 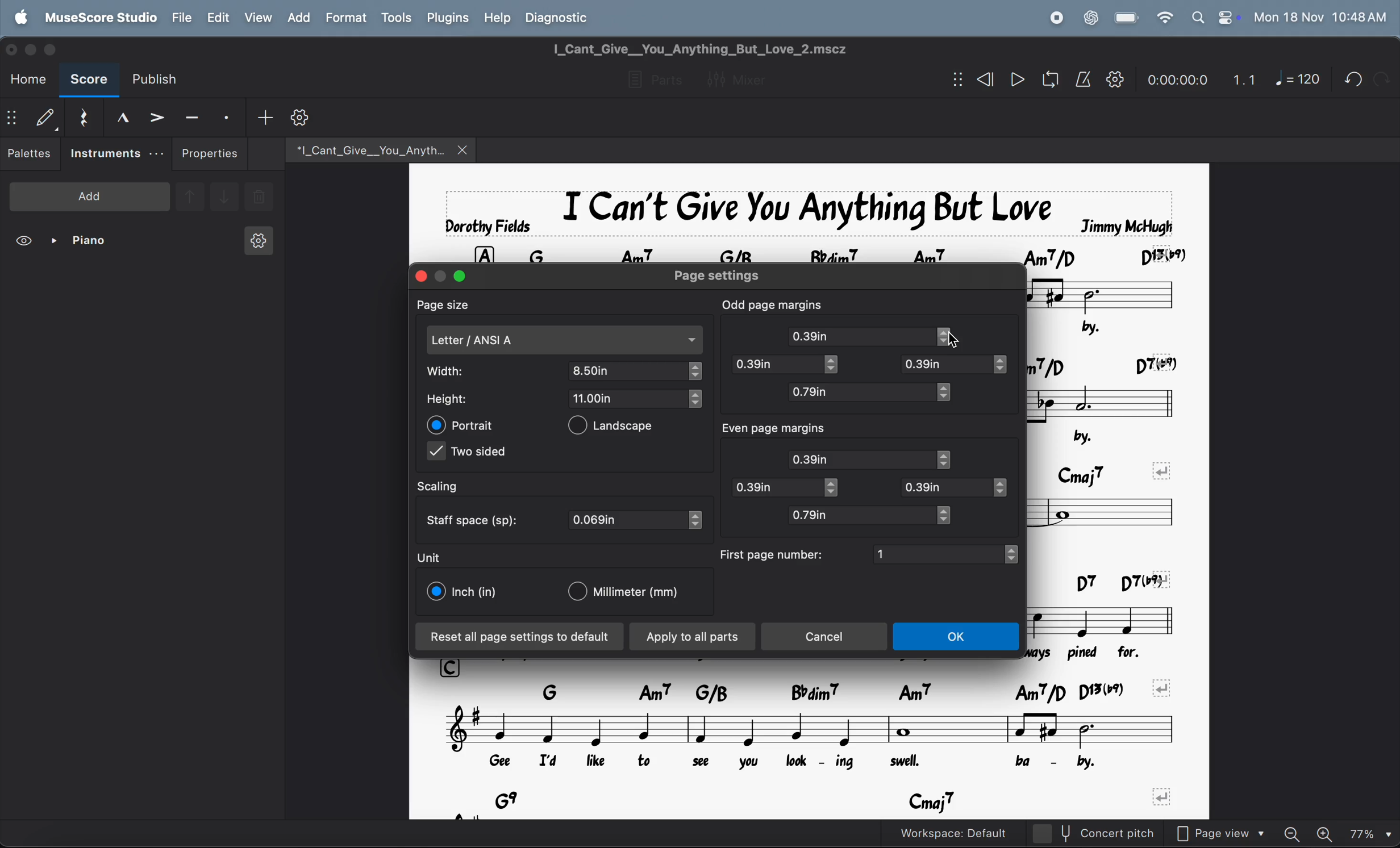 What do you see at coordinates (620, 428) in the screenshot?
I see `lanscape` at bounding box center [620, 428].